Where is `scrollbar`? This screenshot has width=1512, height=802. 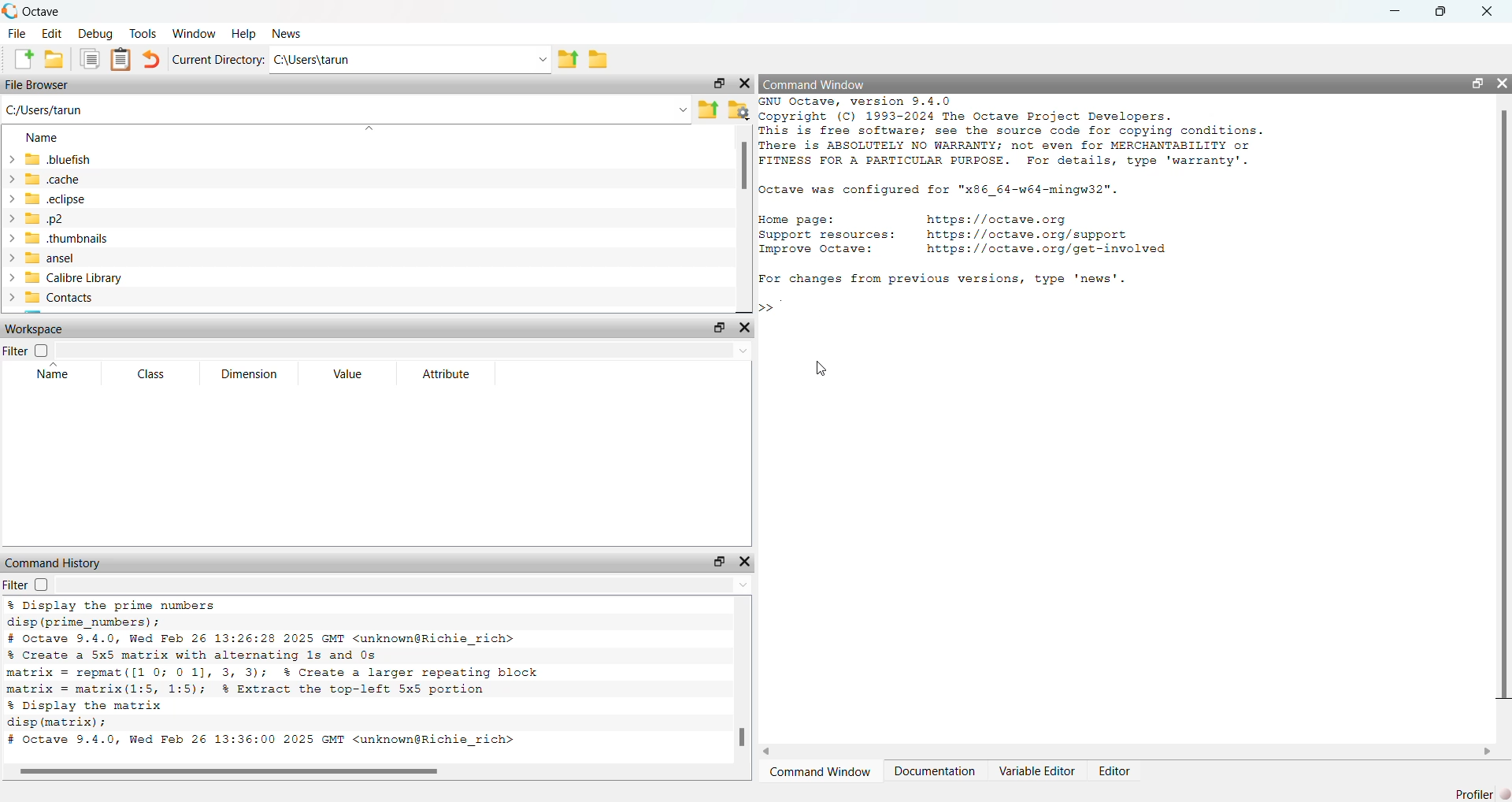 scrollbar is located at coordinates (1502, 405).